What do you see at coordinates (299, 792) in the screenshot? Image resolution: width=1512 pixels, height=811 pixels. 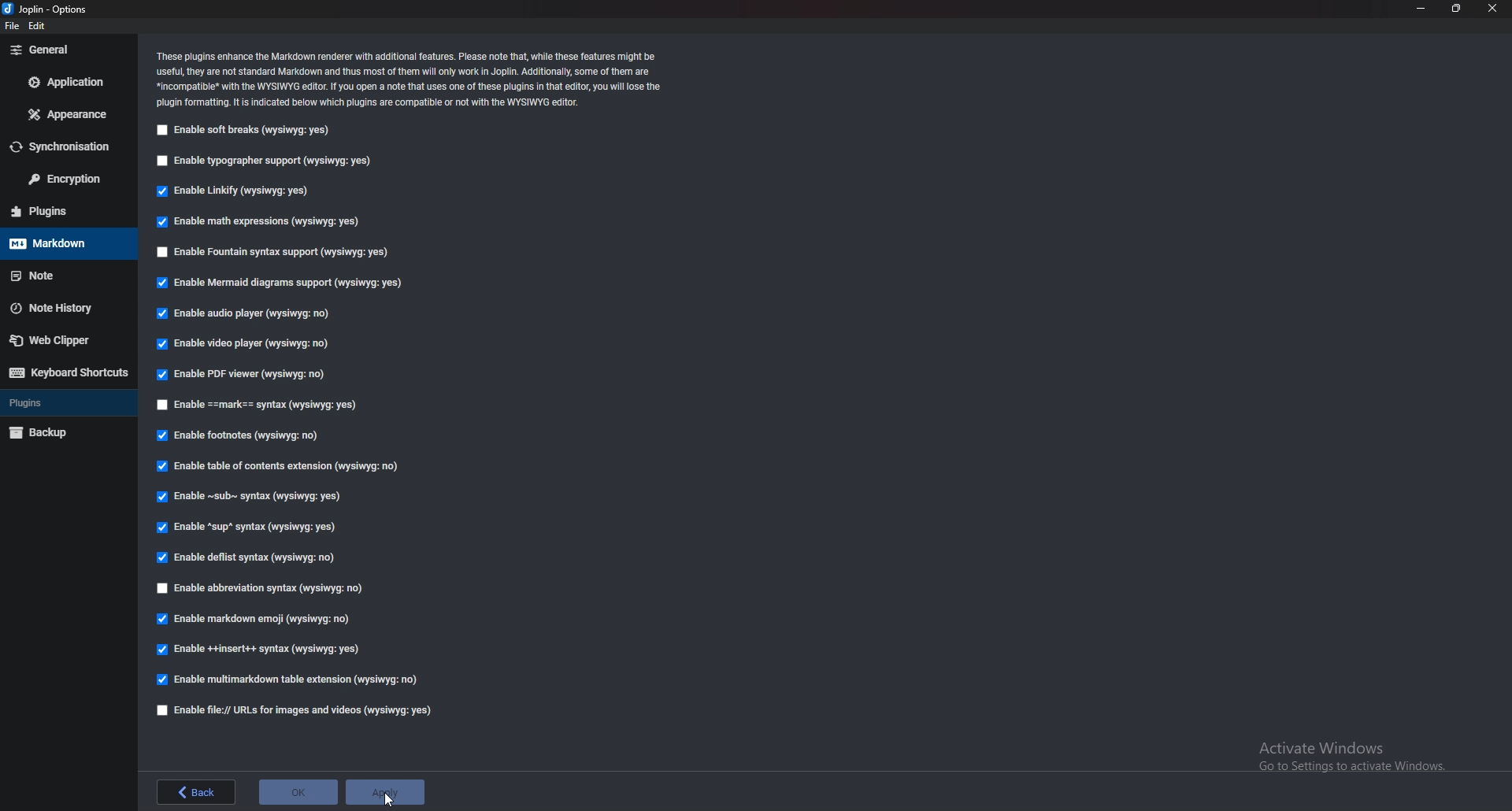 I see `ok` at bounding box center [299, 792].